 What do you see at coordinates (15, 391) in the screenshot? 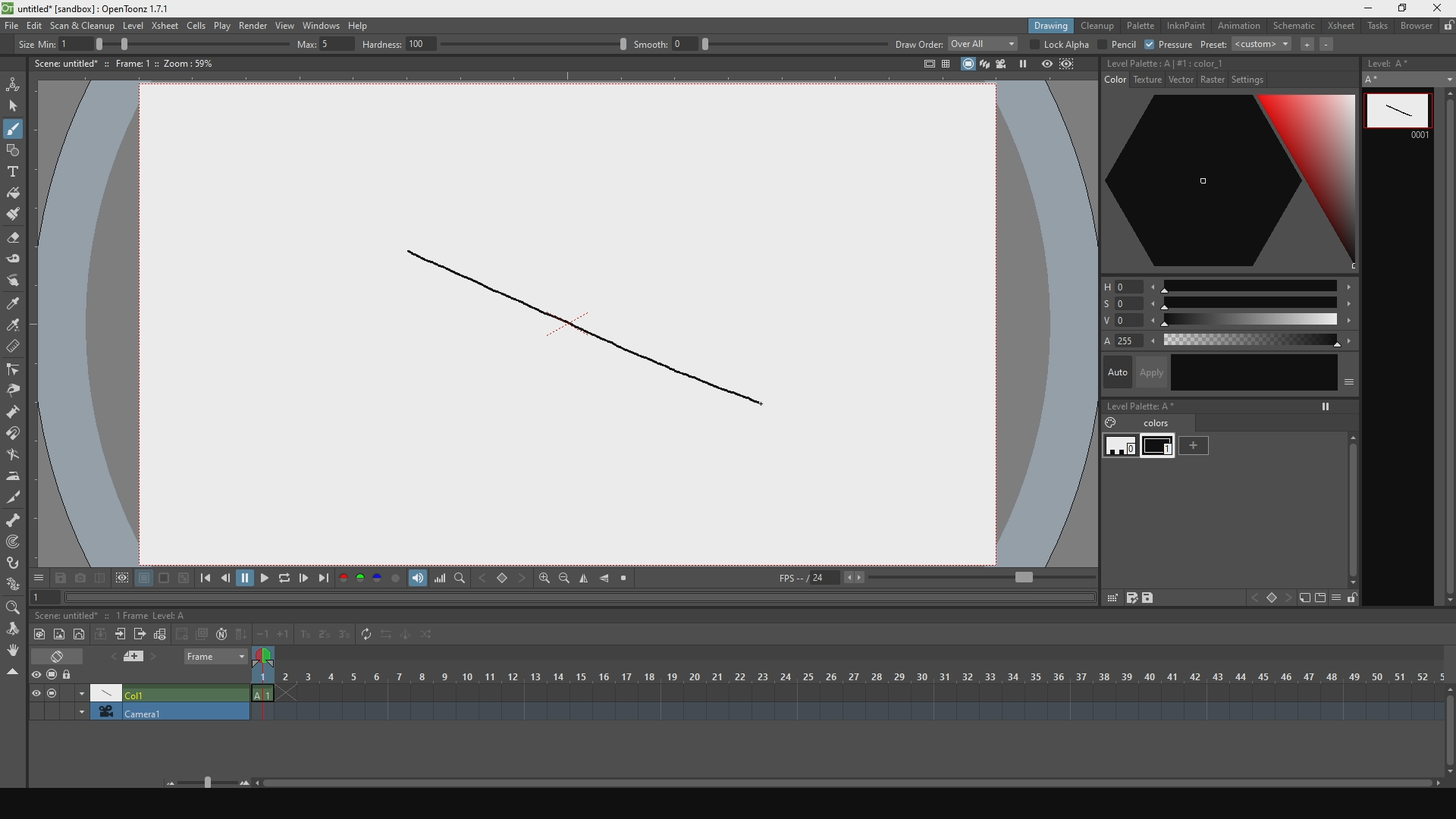
I see `pinch` at bounding box center [15, 391].